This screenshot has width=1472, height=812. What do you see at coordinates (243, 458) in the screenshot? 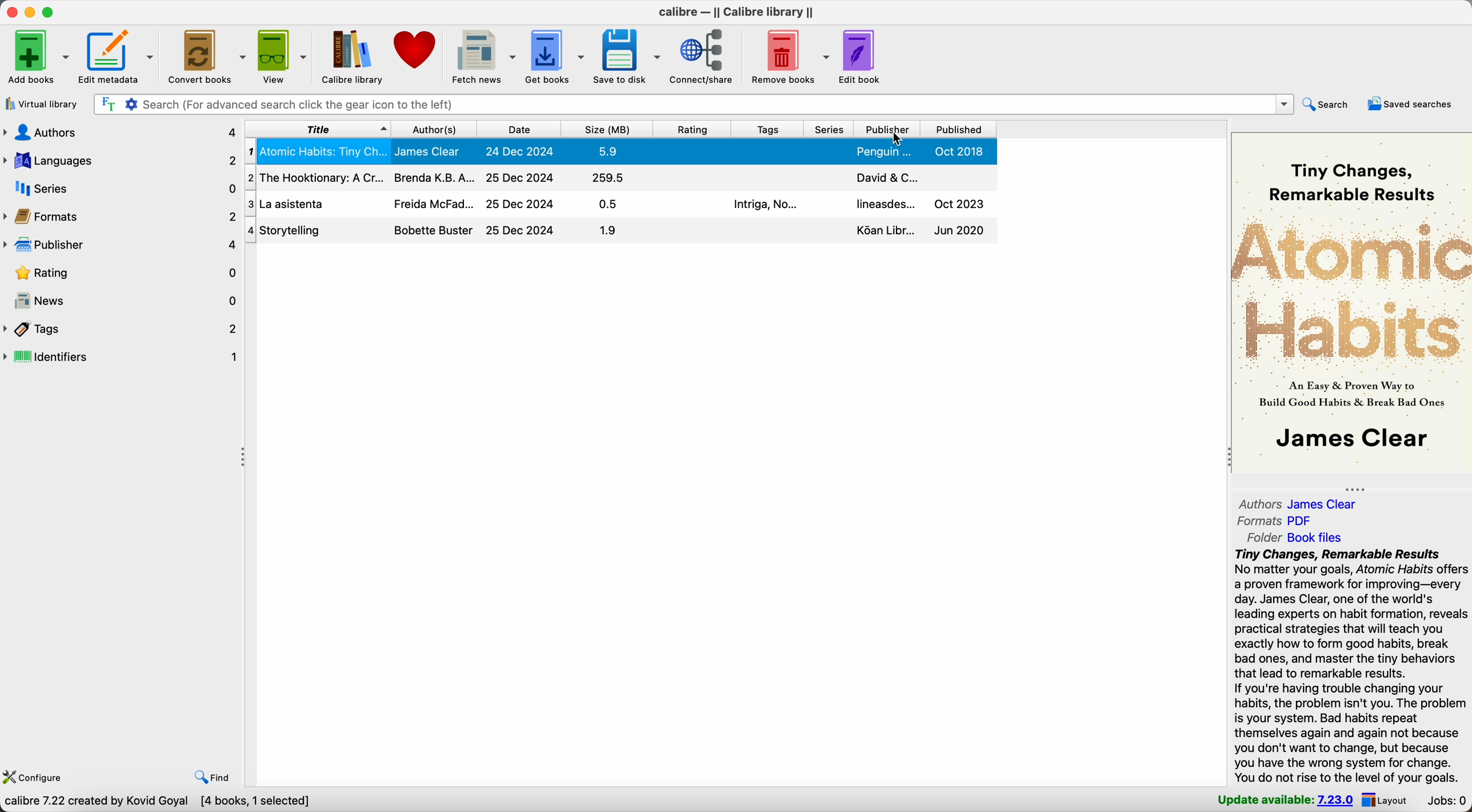
I see `toggle expand/contract` at bounding box center [243, 458].